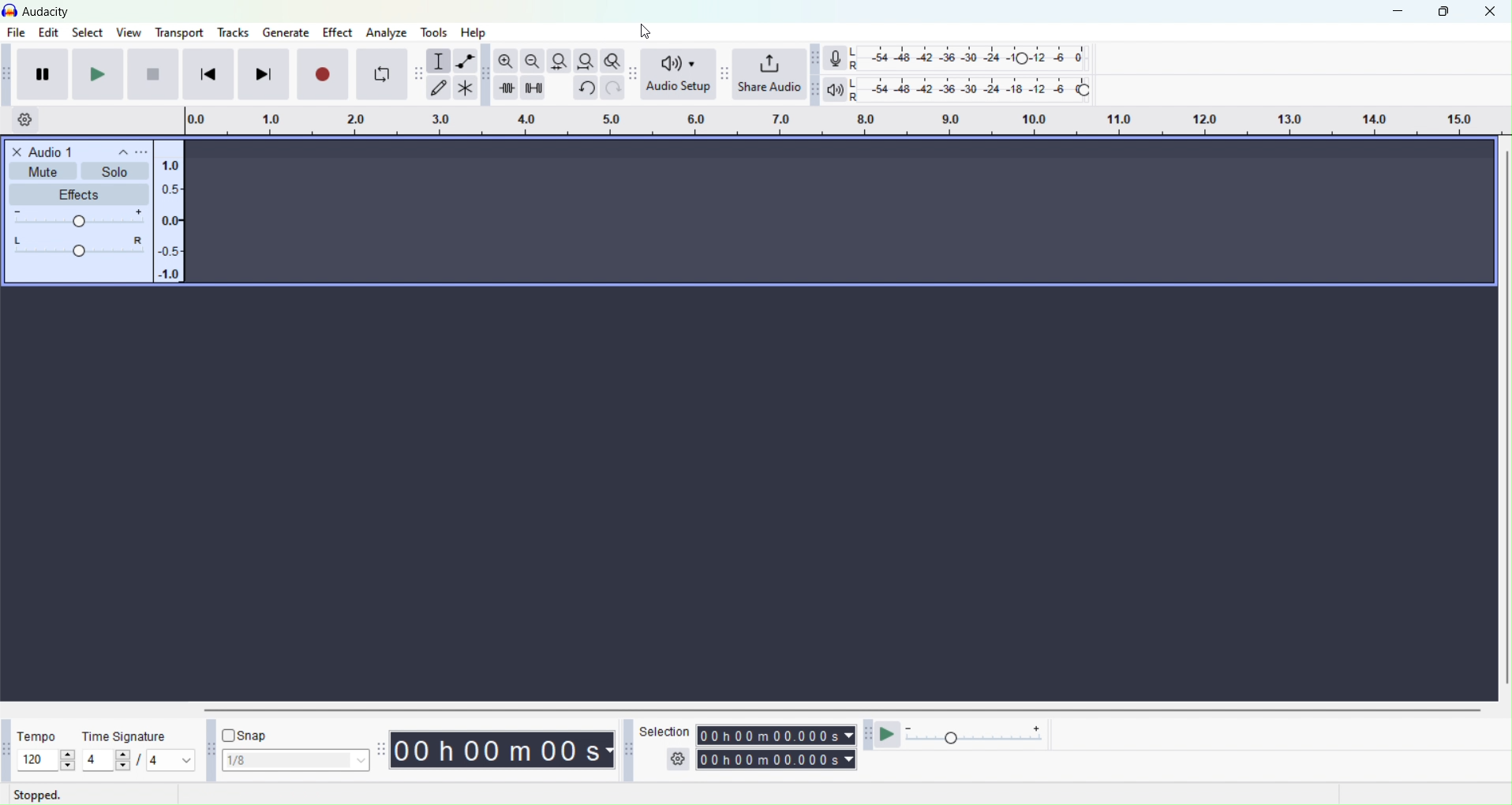 Image resolution: width=1512 pixels, height=805 pixels. Describe the element at coordinates (816, 57) in the screenshot. I see `Audacity recording meter toolbar` at that location.